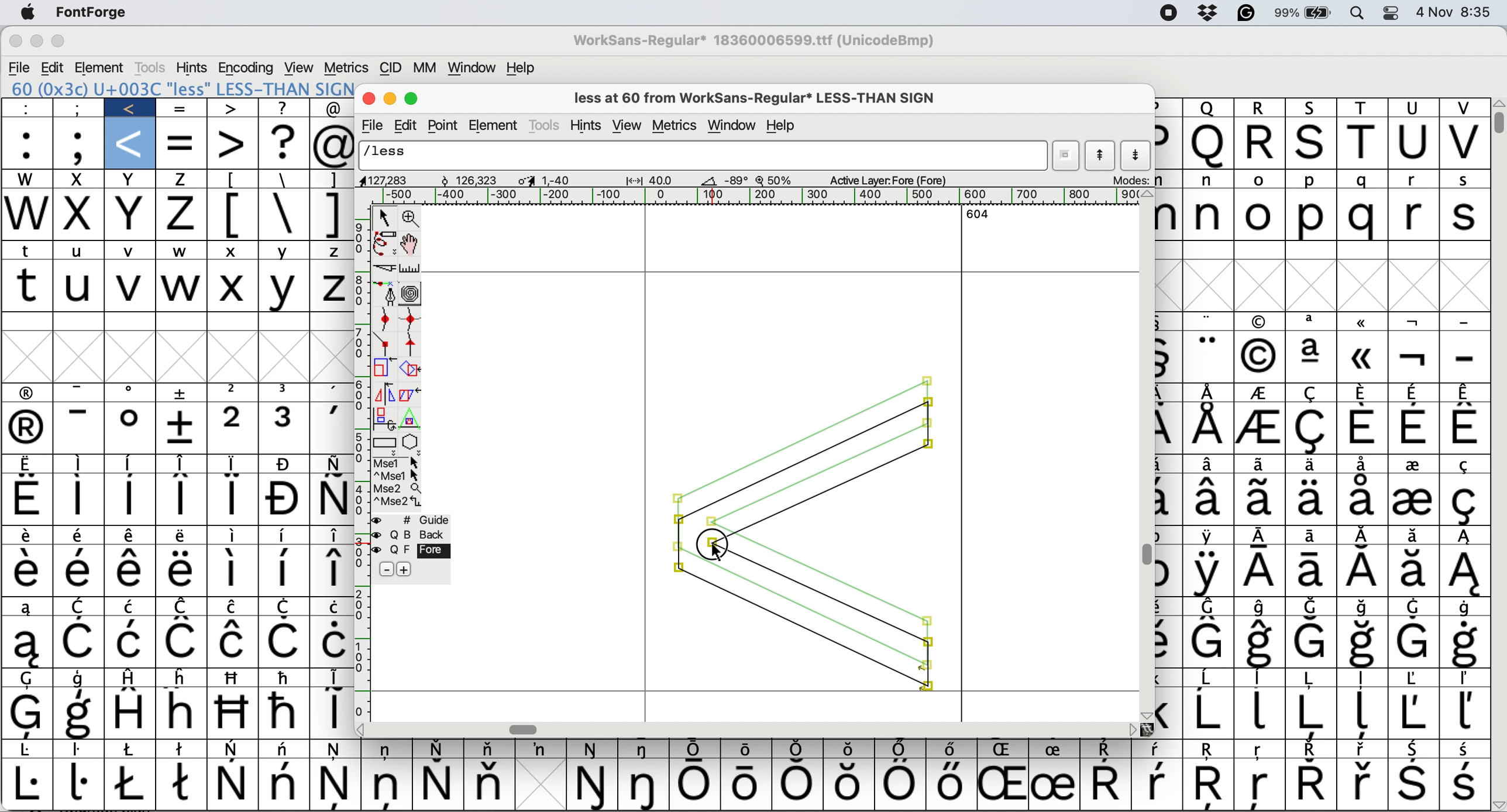  I want to click on Symbol, so click(182, 713).